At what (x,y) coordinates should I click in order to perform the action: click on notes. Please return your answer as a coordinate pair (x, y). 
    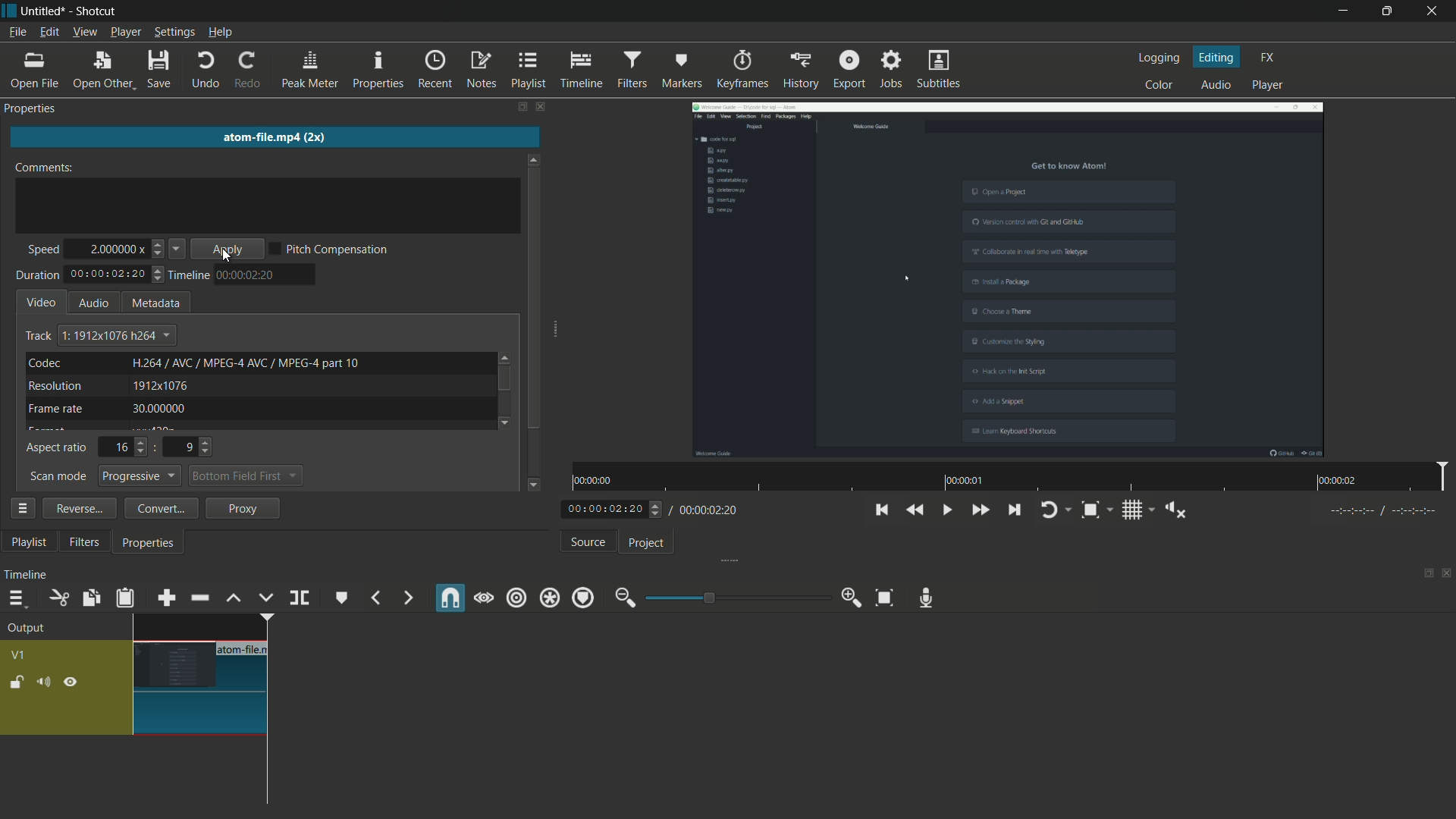
    Looking at the image, I should click on (480, 71).